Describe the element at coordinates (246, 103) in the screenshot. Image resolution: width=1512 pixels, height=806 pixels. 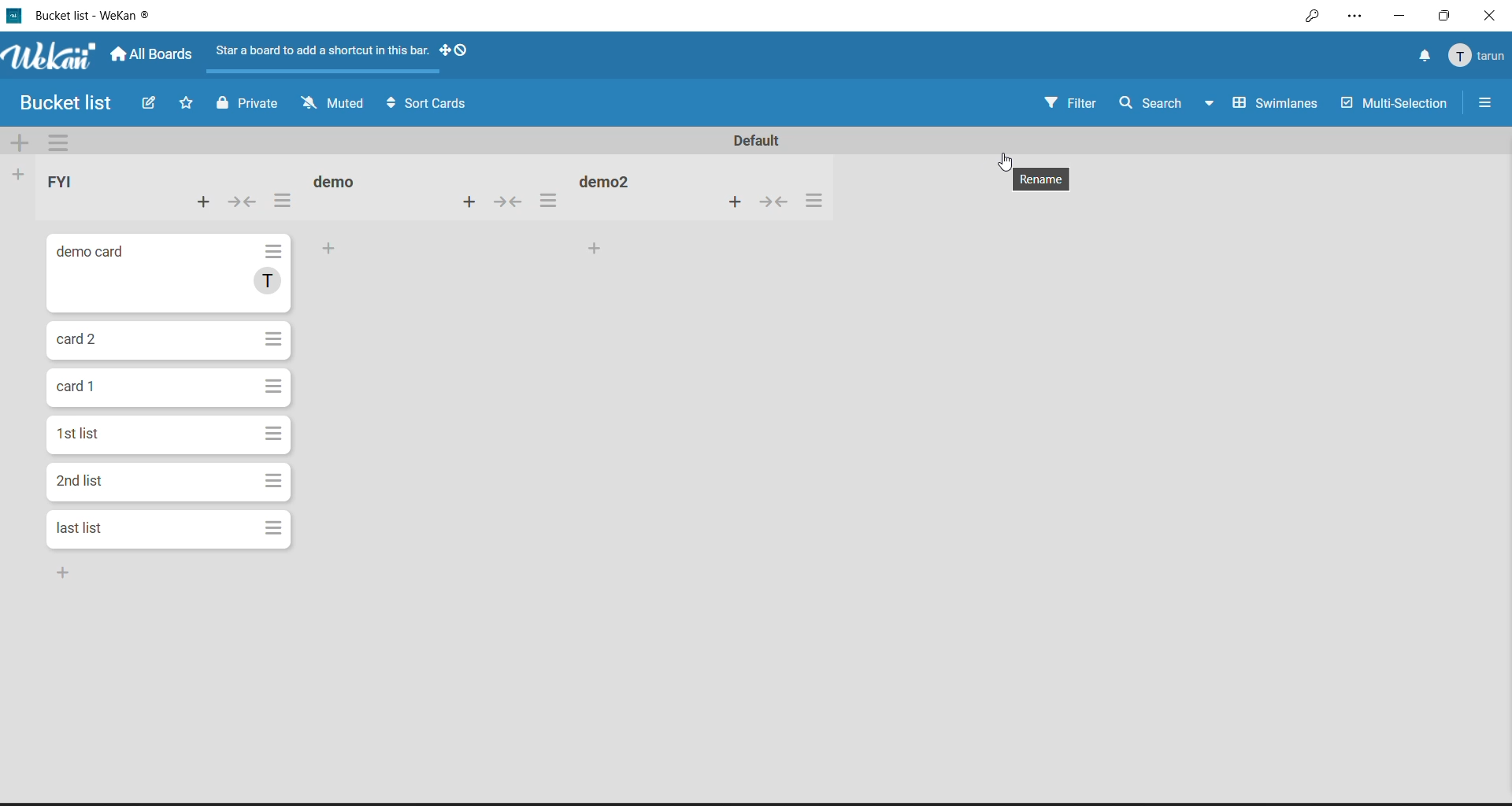
I see `private` at that location.